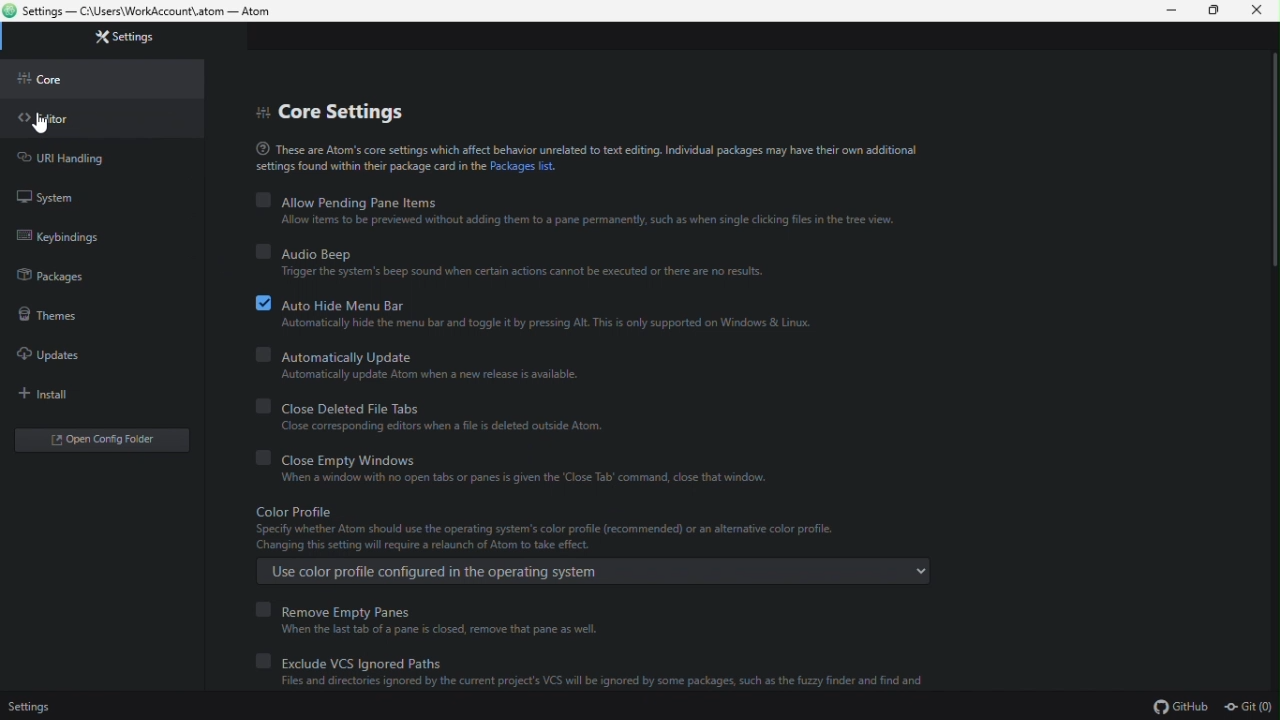 This screenshot has width=1280, height=720. What do you see at coordinates (63, 353) in the screenshot?
I see `Updates` at bounding box center [63, 353].